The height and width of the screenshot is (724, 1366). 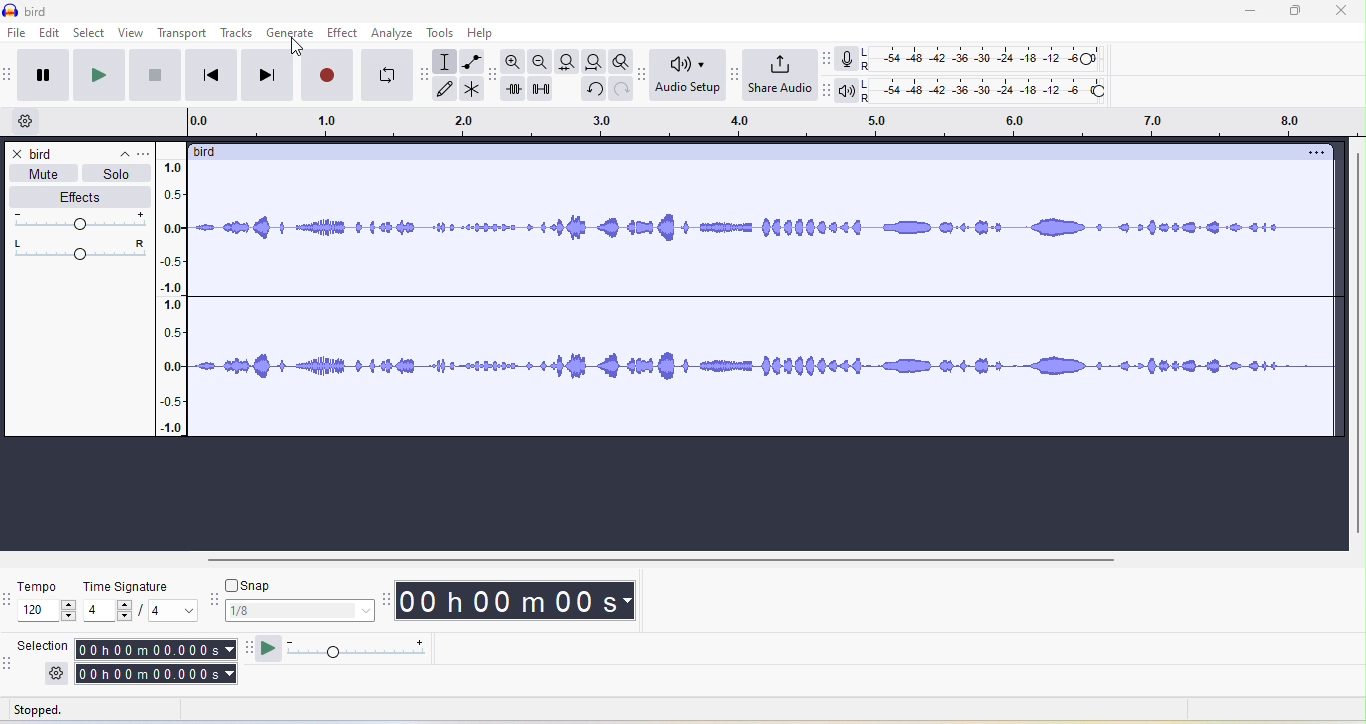 What do you see at coordinates (92, 35) in the screenshot?
I see `select` at bounding box center [92, 35].